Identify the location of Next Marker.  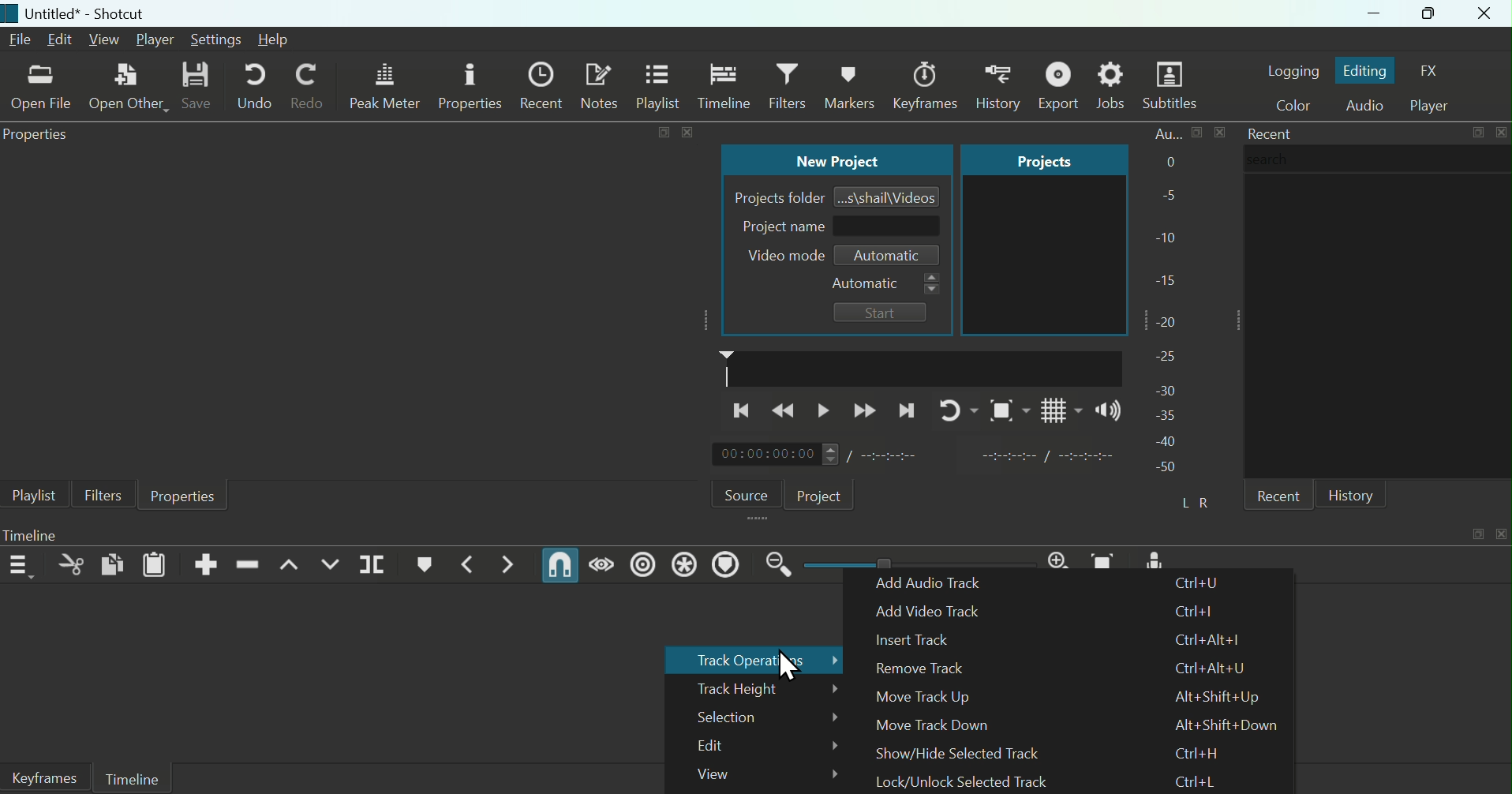
(508, 565).